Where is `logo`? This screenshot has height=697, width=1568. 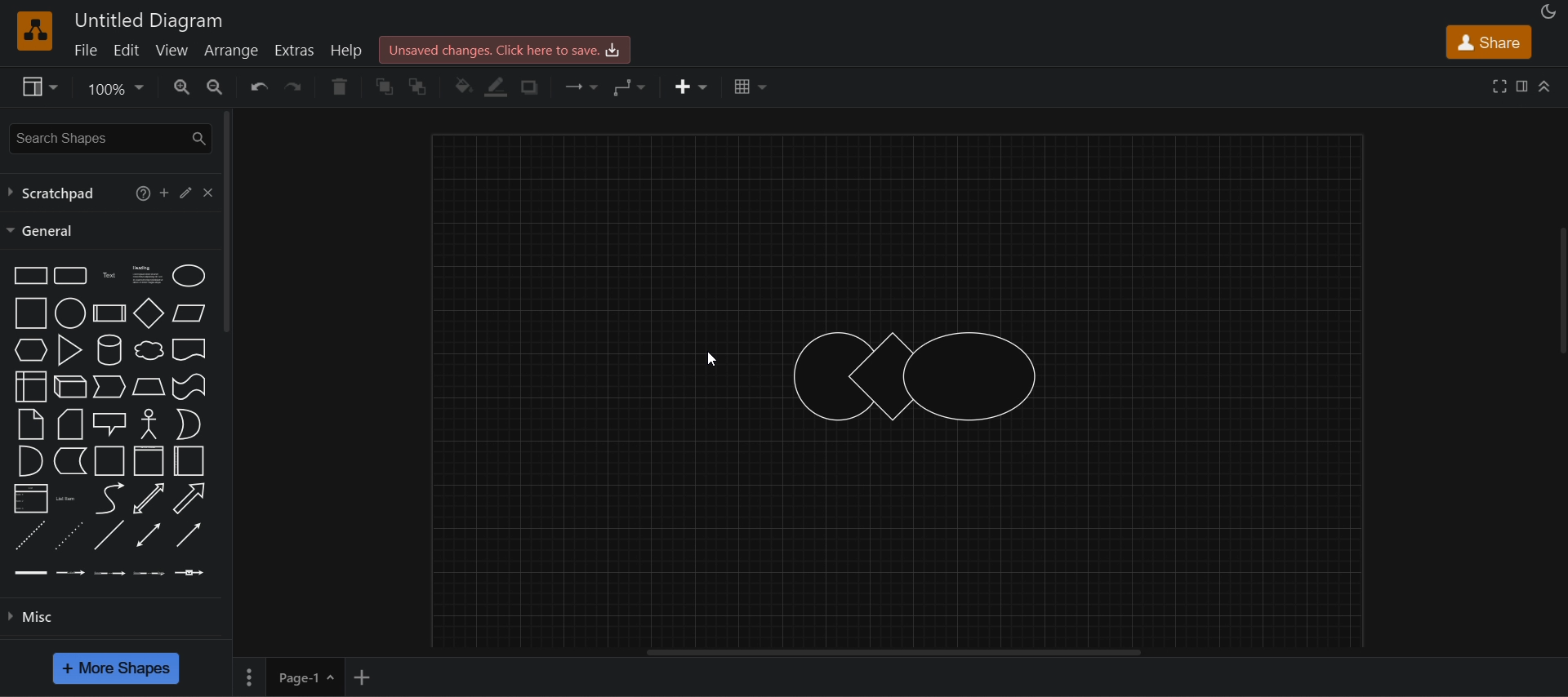
logo is located at coordinates (33, 30).